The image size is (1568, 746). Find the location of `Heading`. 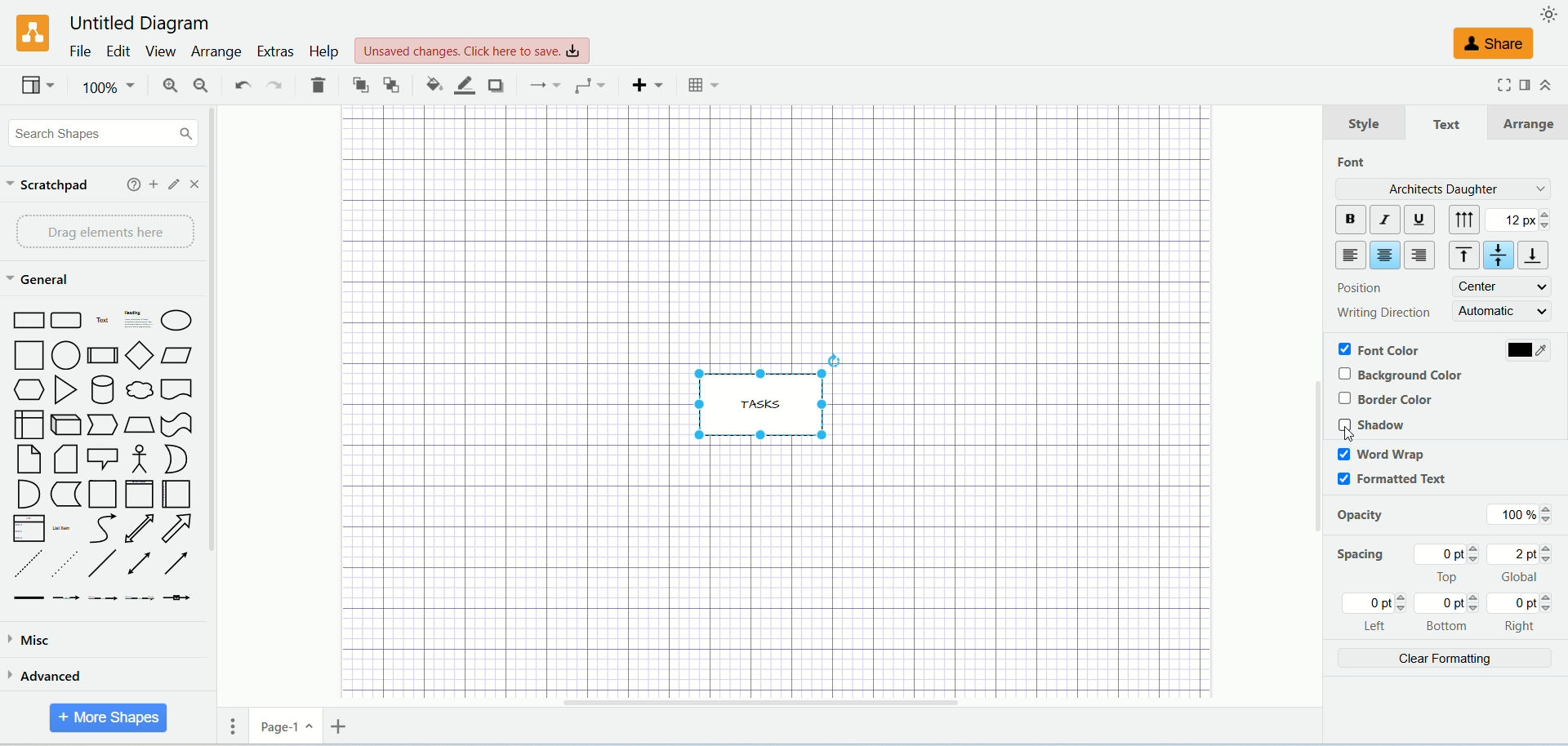

Heading is located at coordinates (139, 317).